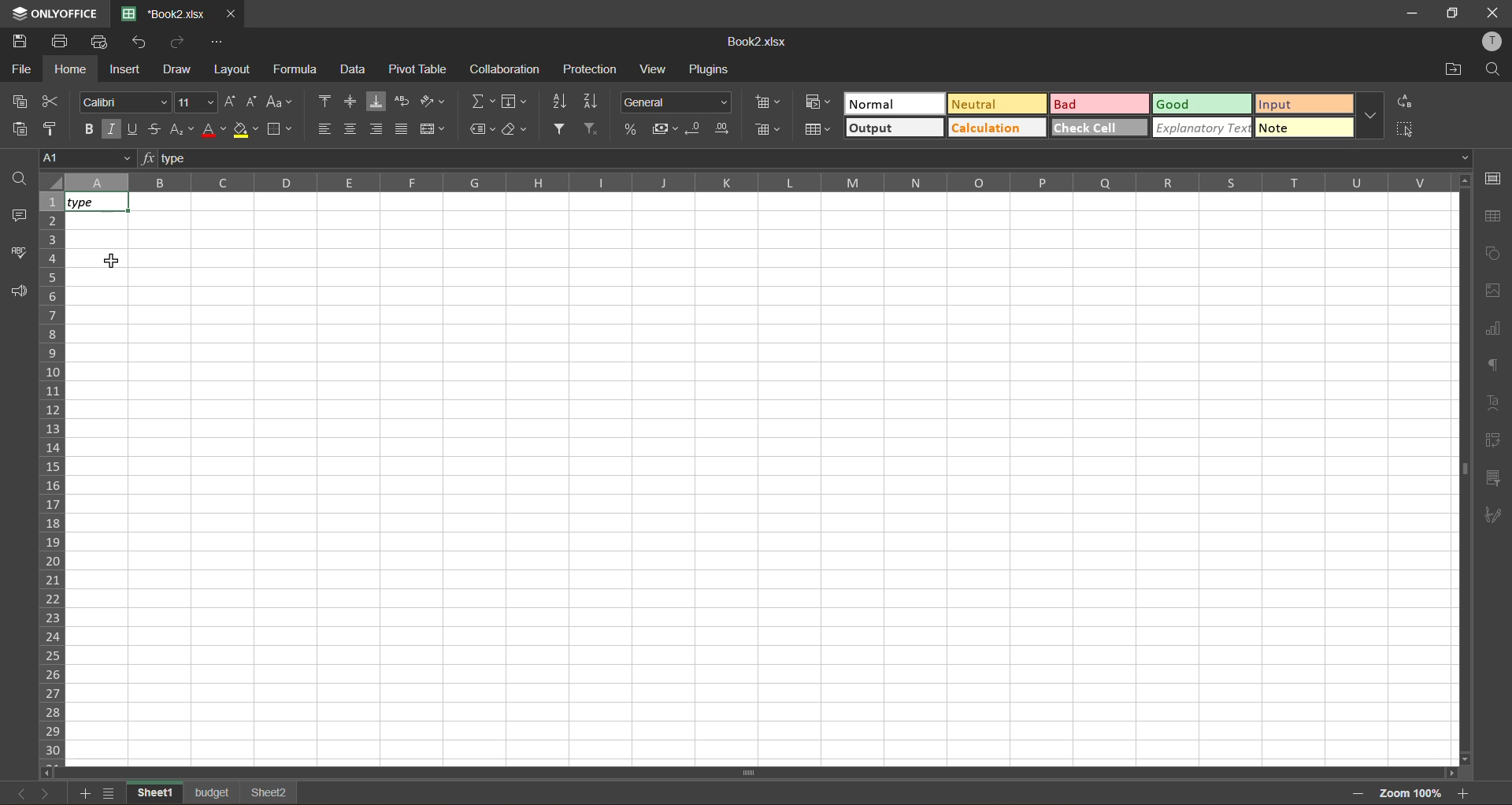 The height and width of the screenshot is (805, 1512). Describe the element at coordinates (1099, 127) in the screenshot. I see `check cell` at that location.